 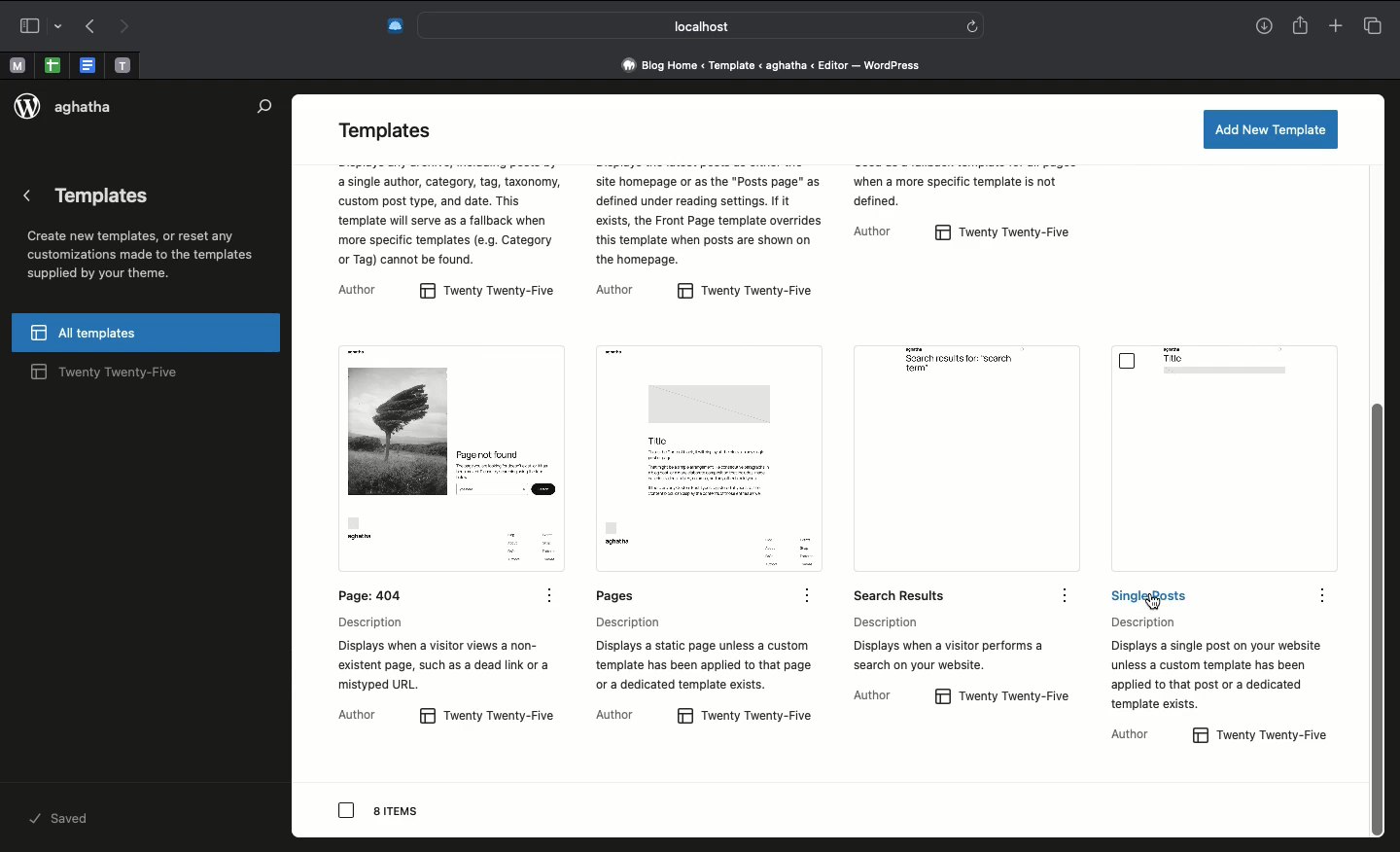 What do you see at coordinates (1336, 27) in the screenshot?
I see `New tab` at bounding box center [1336, 27].